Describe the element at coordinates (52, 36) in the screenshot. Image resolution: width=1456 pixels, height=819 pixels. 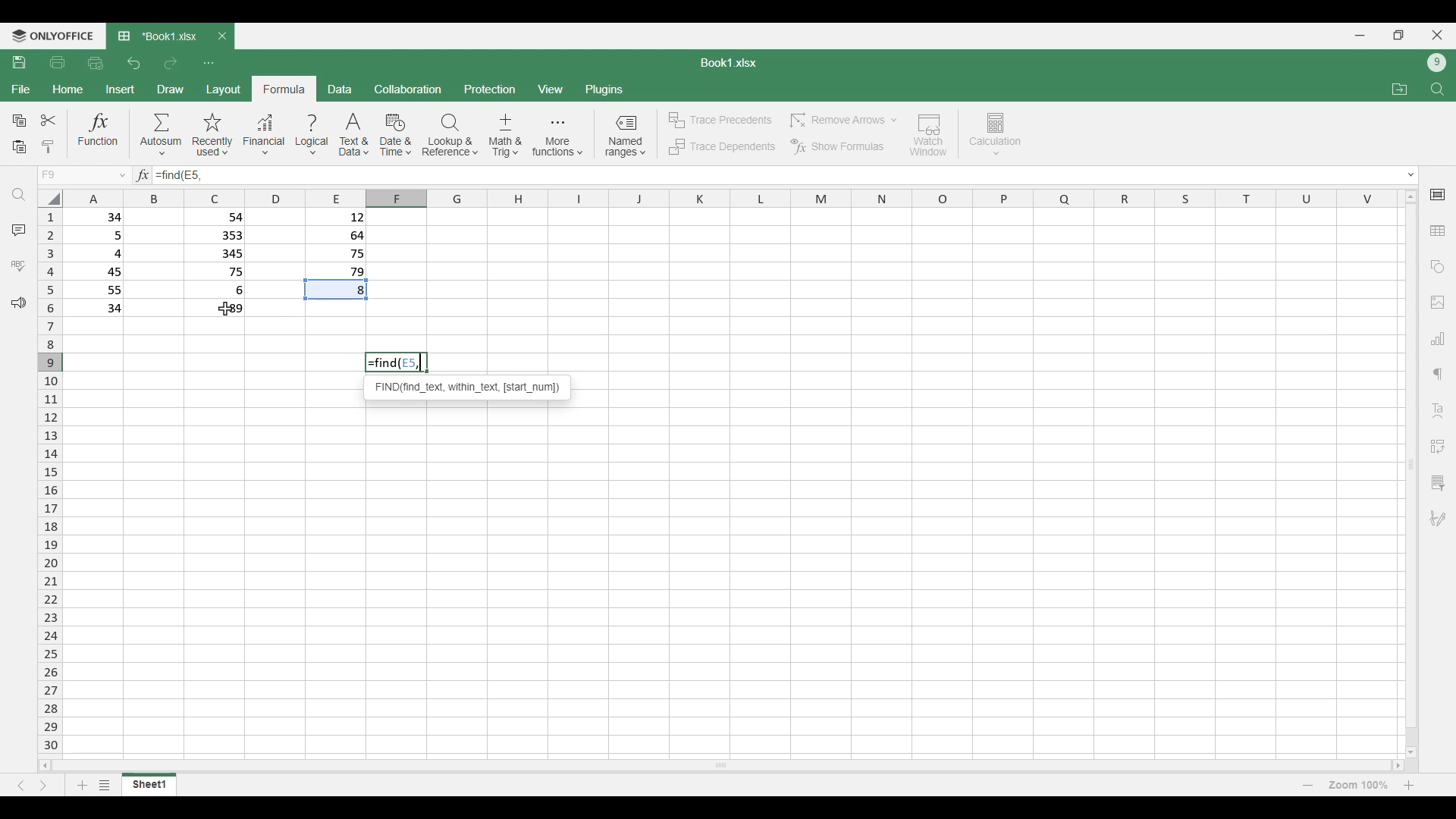
I see `Software logo and name` at that location.